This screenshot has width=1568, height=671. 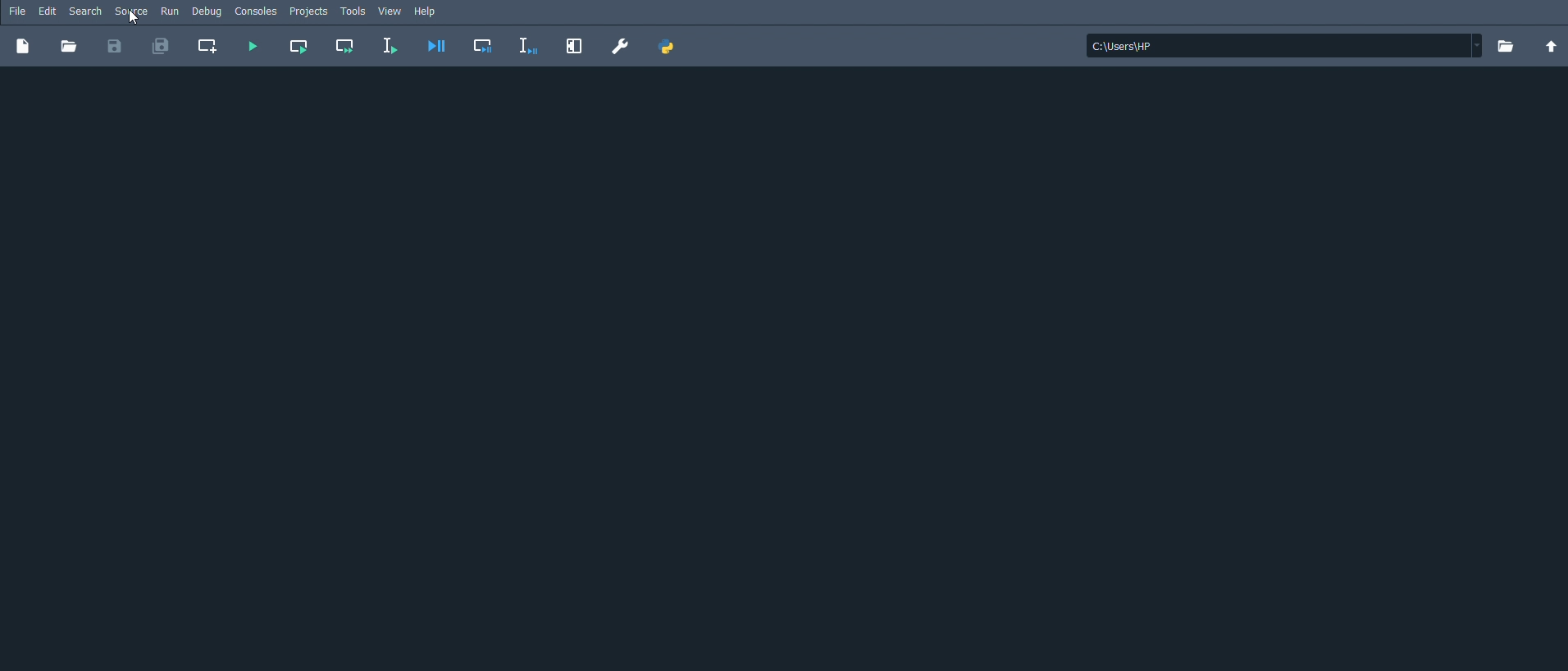 I want to click on Source, so click(x=136, y=11).